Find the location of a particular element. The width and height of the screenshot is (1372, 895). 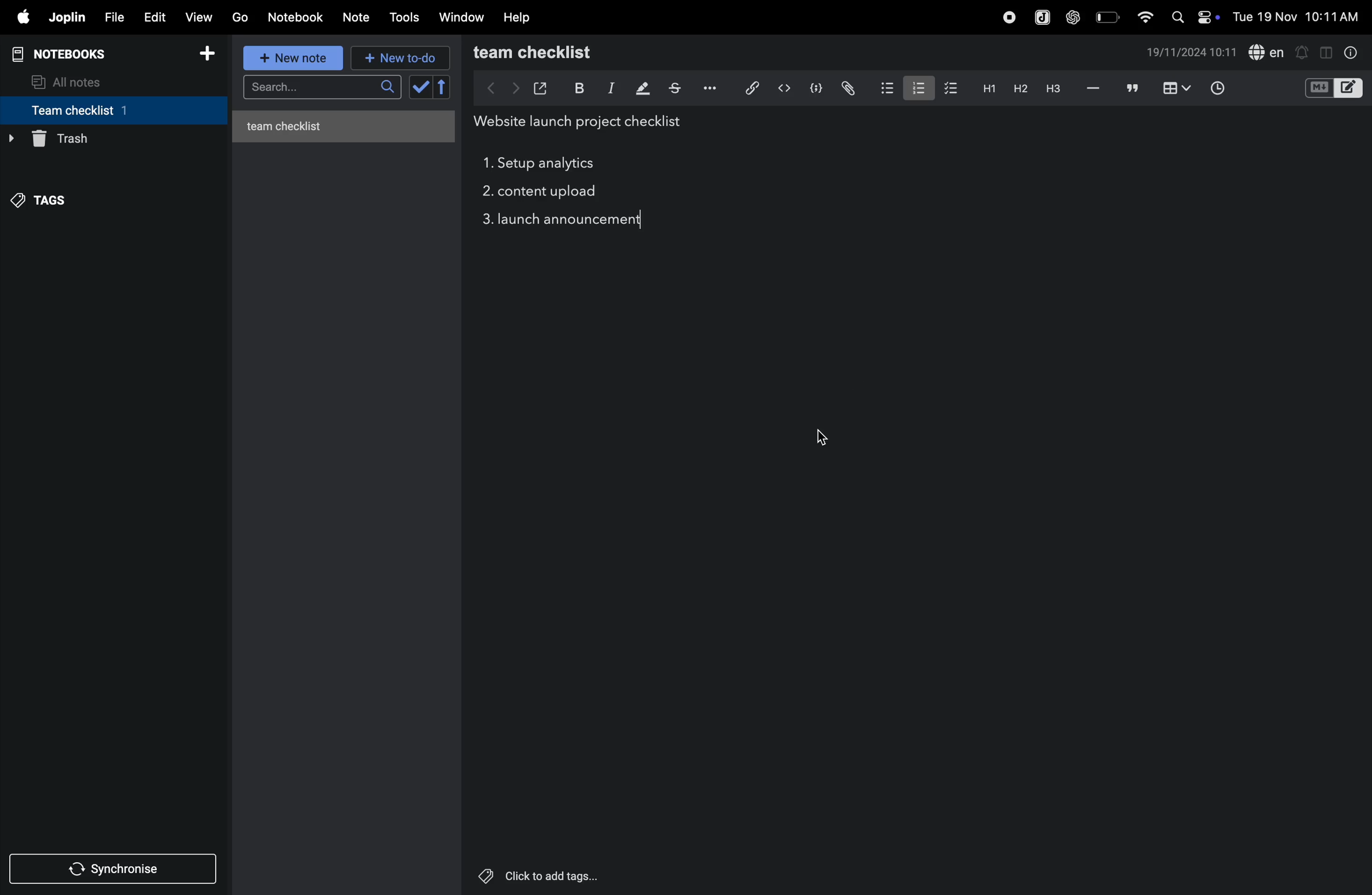

task 1 is located at coordinates (487, 165).